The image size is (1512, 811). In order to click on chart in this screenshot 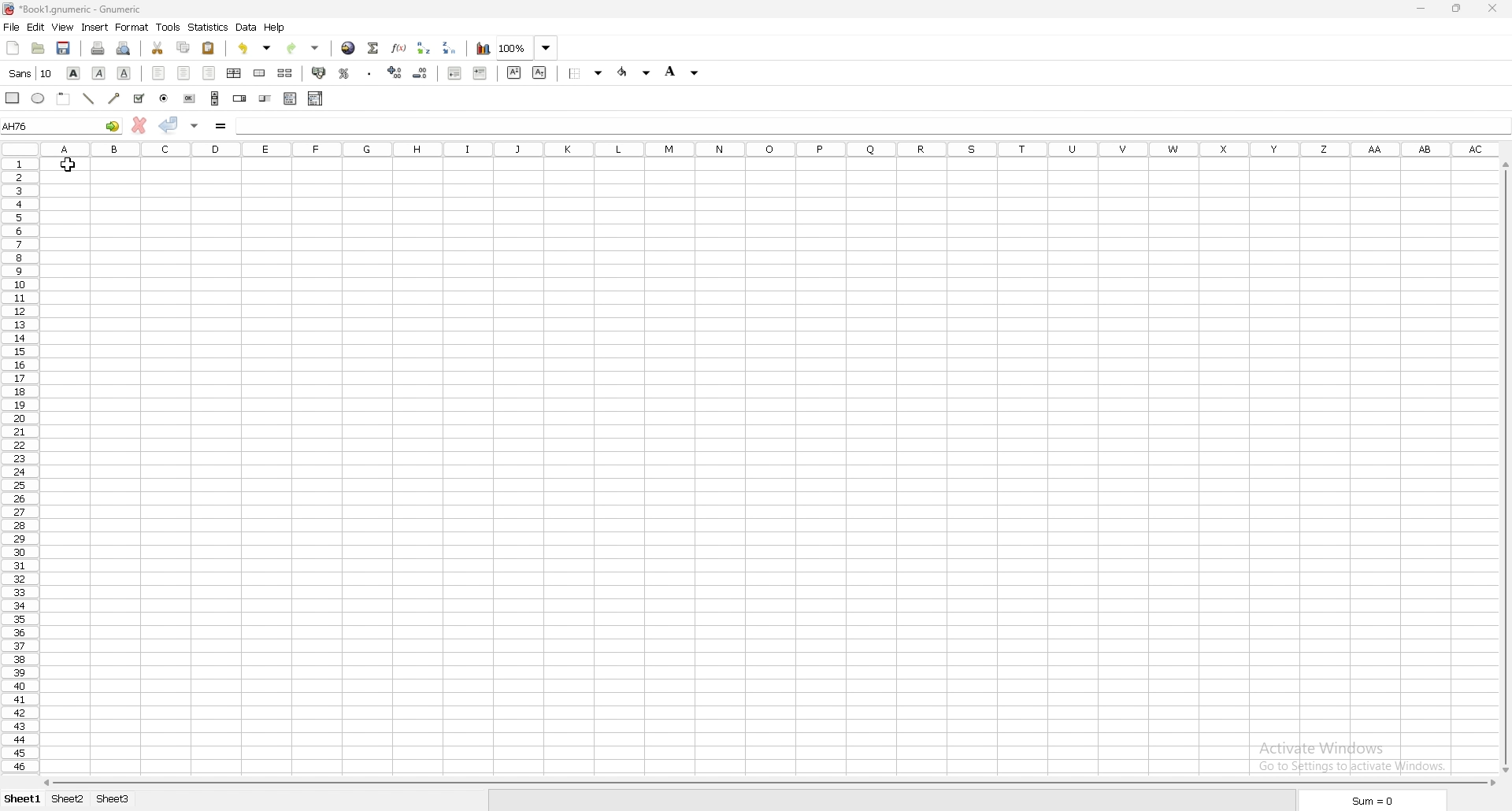, I will do `click(484, 49)`.